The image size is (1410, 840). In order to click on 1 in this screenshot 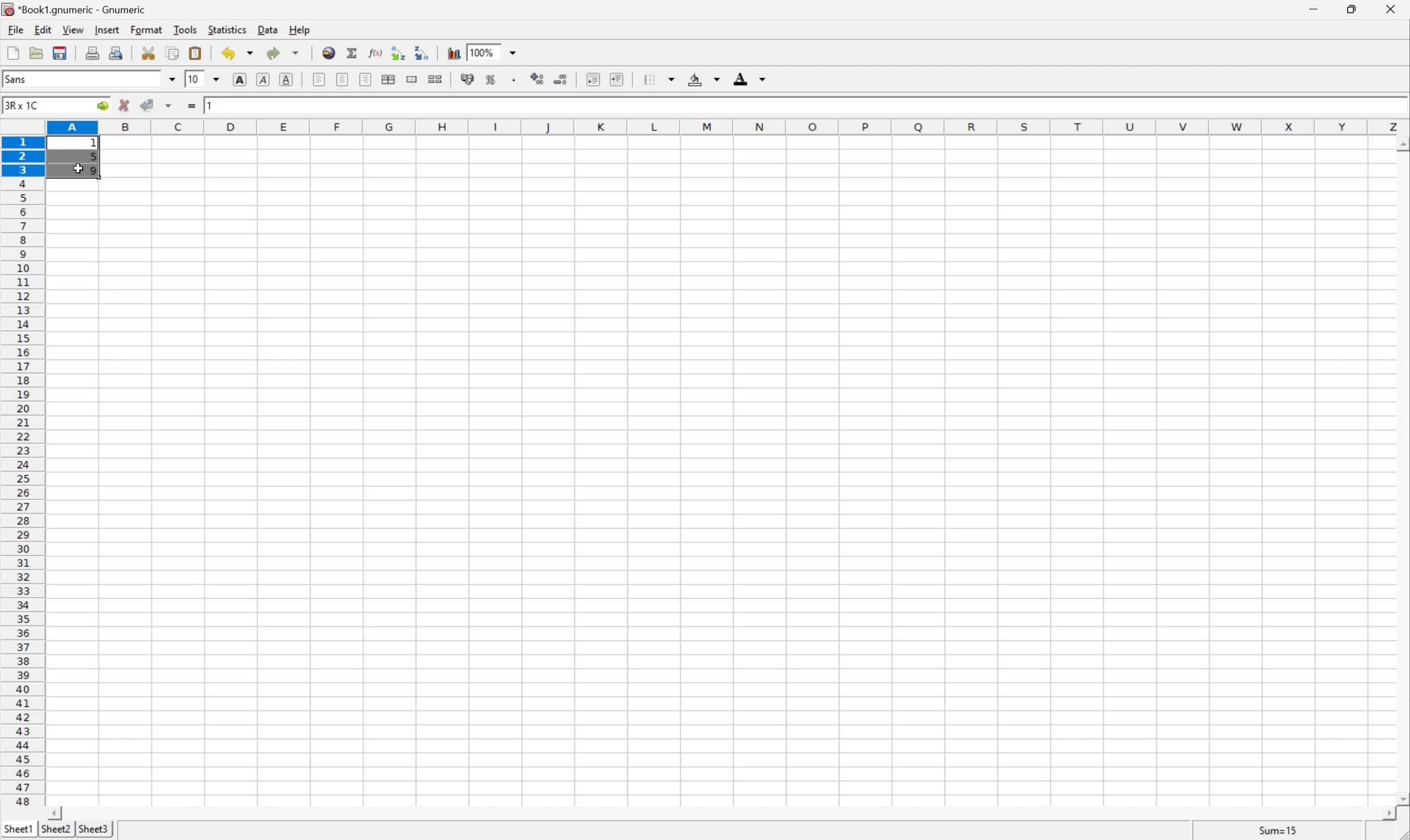, I will do `click(212, 104)`.